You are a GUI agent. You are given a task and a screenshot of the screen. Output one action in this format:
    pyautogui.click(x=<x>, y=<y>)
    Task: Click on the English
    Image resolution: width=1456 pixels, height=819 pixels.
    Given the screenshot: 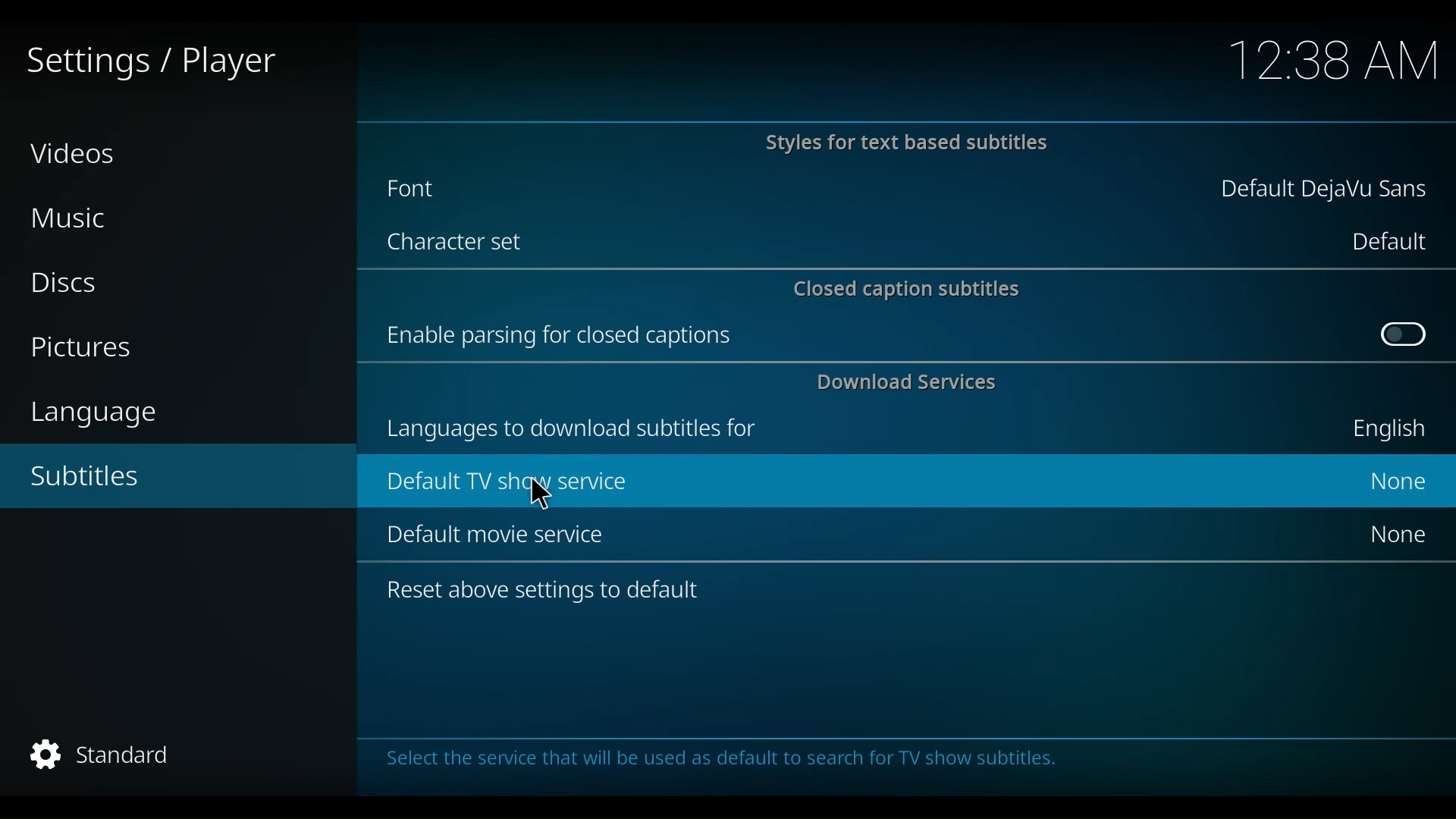 What is the action you would take?
    pyautogui.click(x=1385, y=432)
    